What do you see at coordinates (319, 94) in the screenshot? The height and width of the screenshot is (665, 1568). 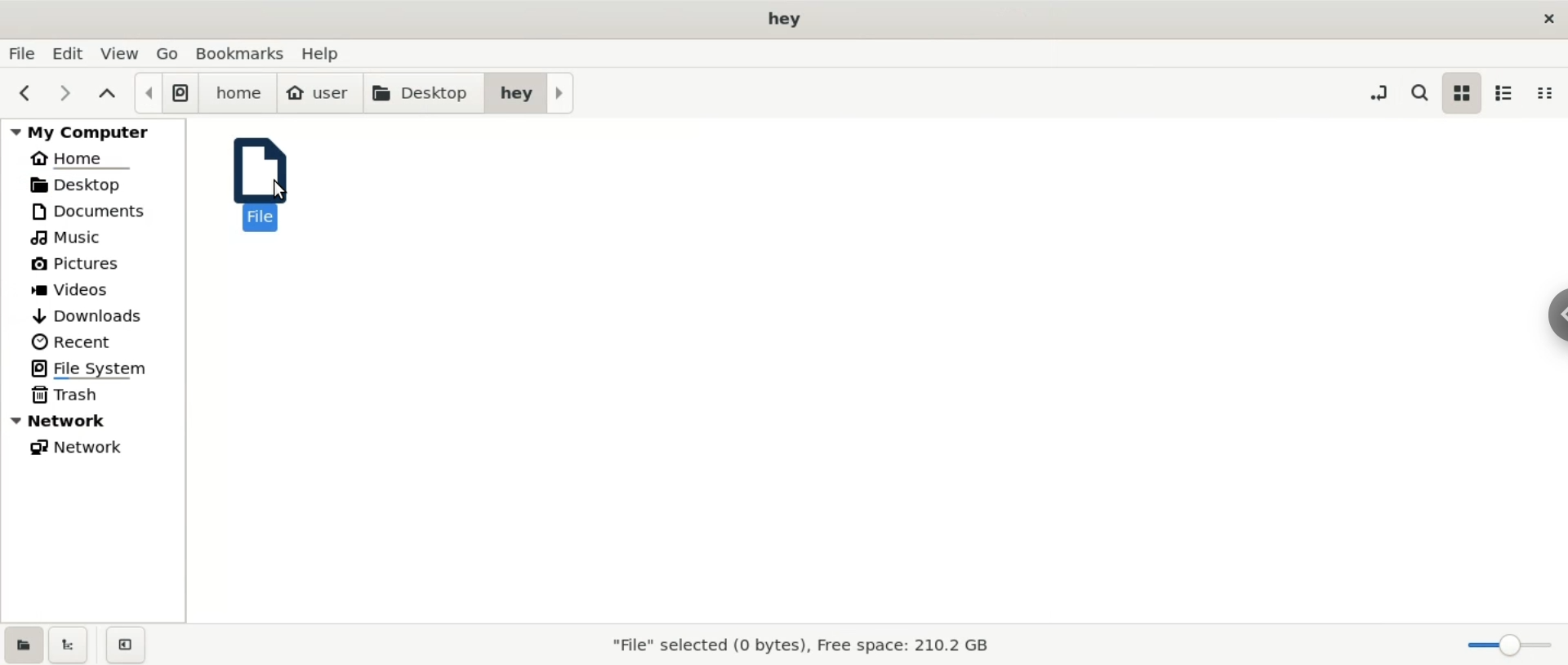 I see `user` at bounding box center [319, 94].